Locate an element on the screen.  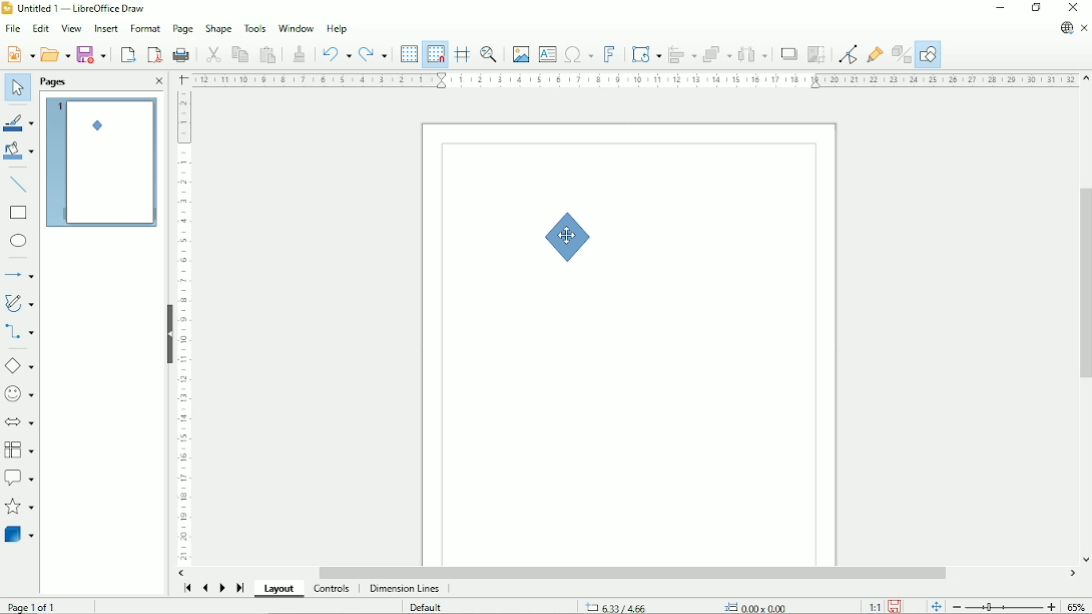
Window is located at coordinates (296, 27).